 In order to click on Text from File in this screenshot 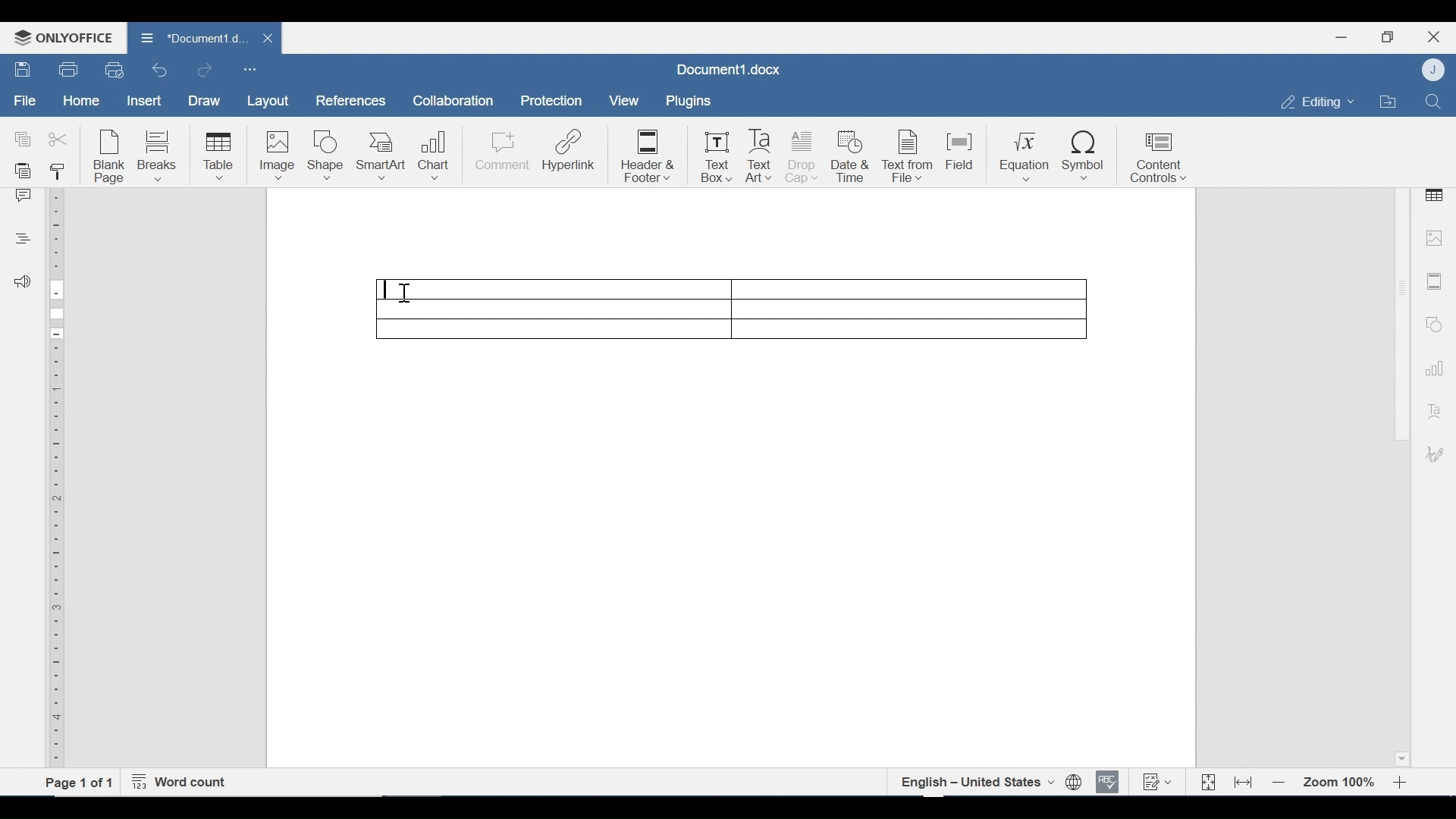, I will do `click(909, 156)`.